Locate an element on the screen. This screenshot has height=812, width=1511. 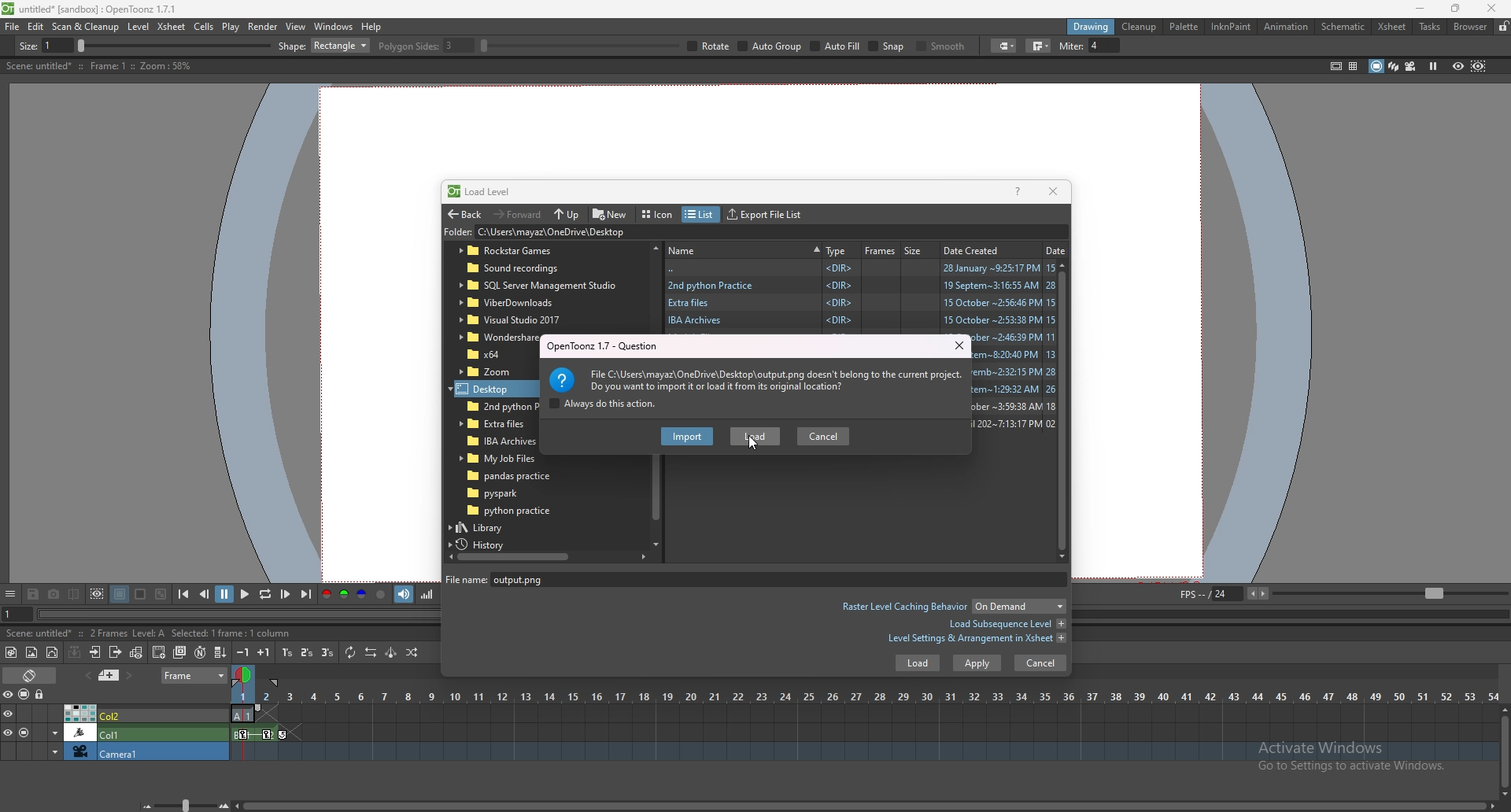
up is located at coordinates (567, 215).